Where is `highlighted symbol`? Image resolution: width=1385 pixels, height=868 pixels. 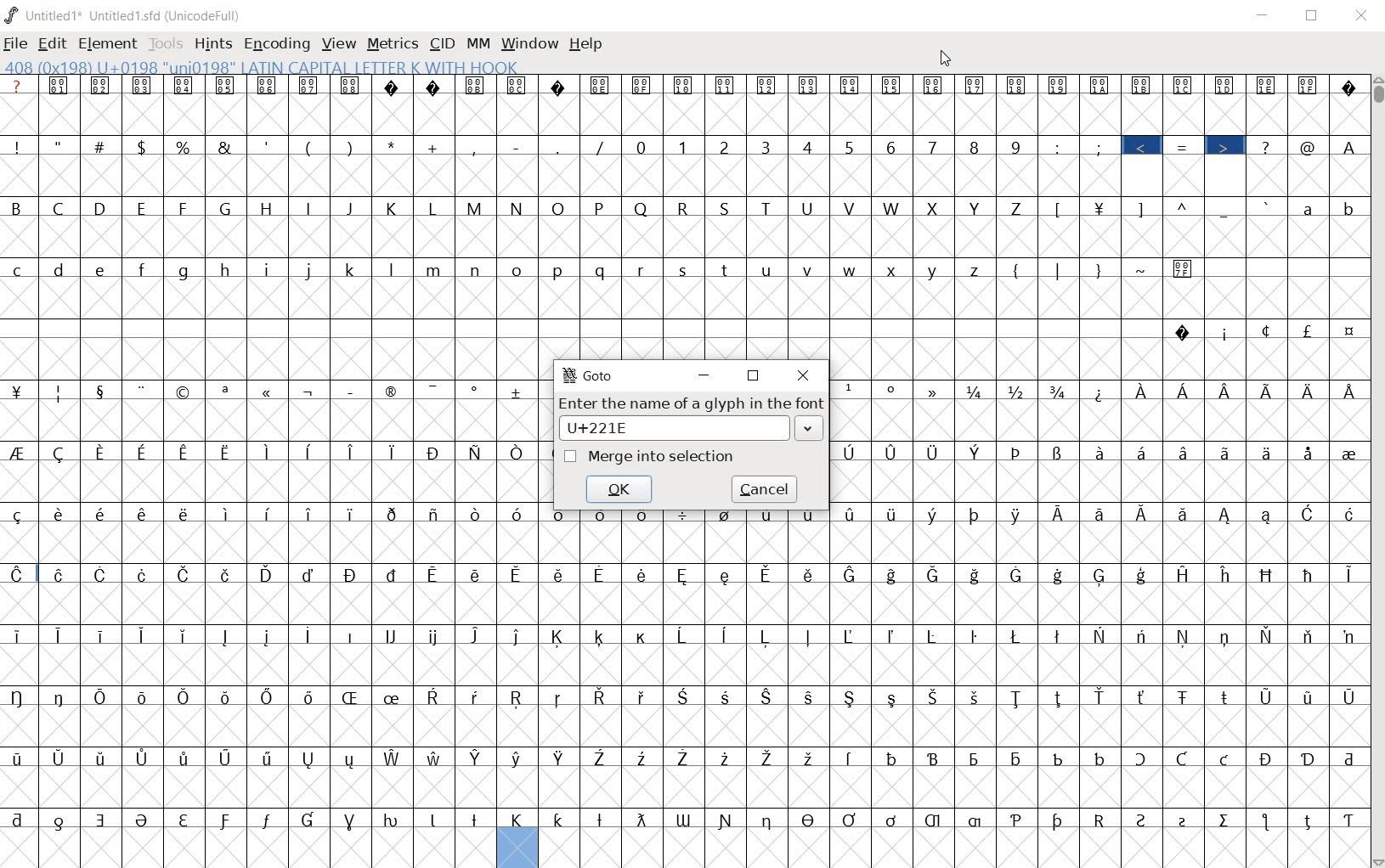
highlighted symbol is located at coordinates (1142, 145).